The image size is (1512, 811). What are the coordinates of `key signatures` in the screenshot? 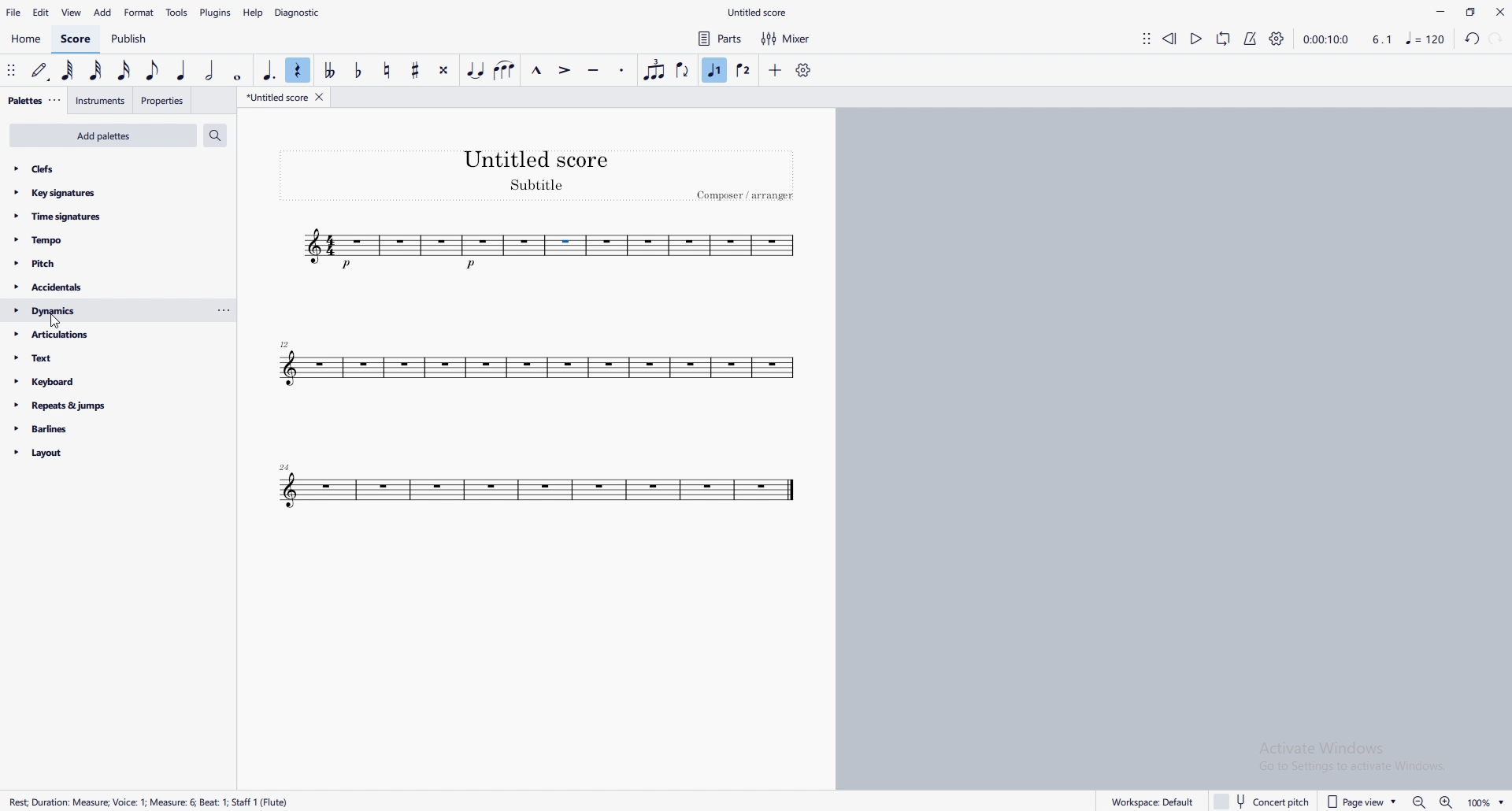 It's located at (102, 192).